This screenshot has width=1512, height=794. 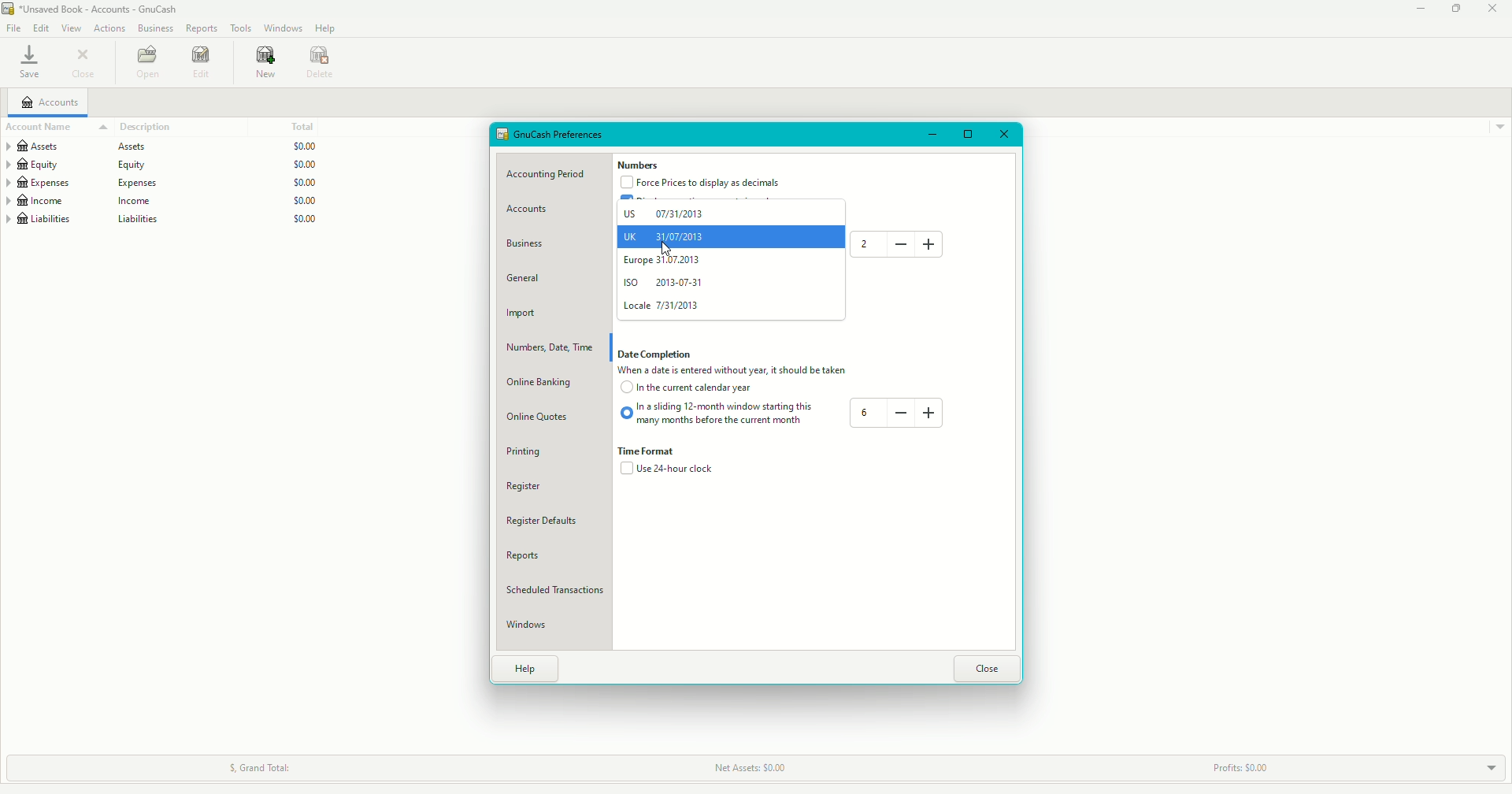 What do you see at coordinates (155, 28) in the screenshot?
I see `Business` at bounding box center [155, 28].